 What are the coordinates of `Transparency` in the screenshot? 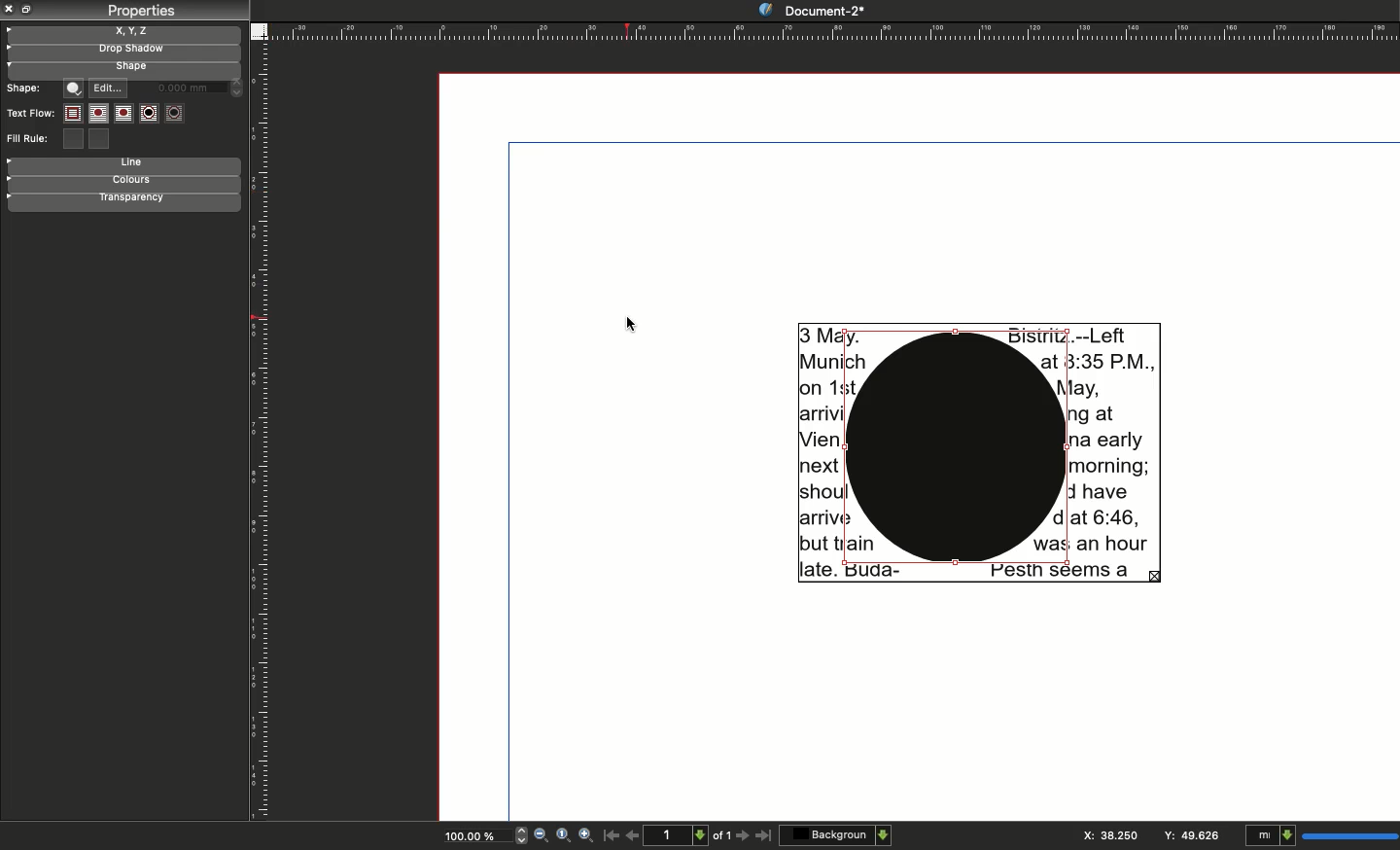 It's located at (142, 199).